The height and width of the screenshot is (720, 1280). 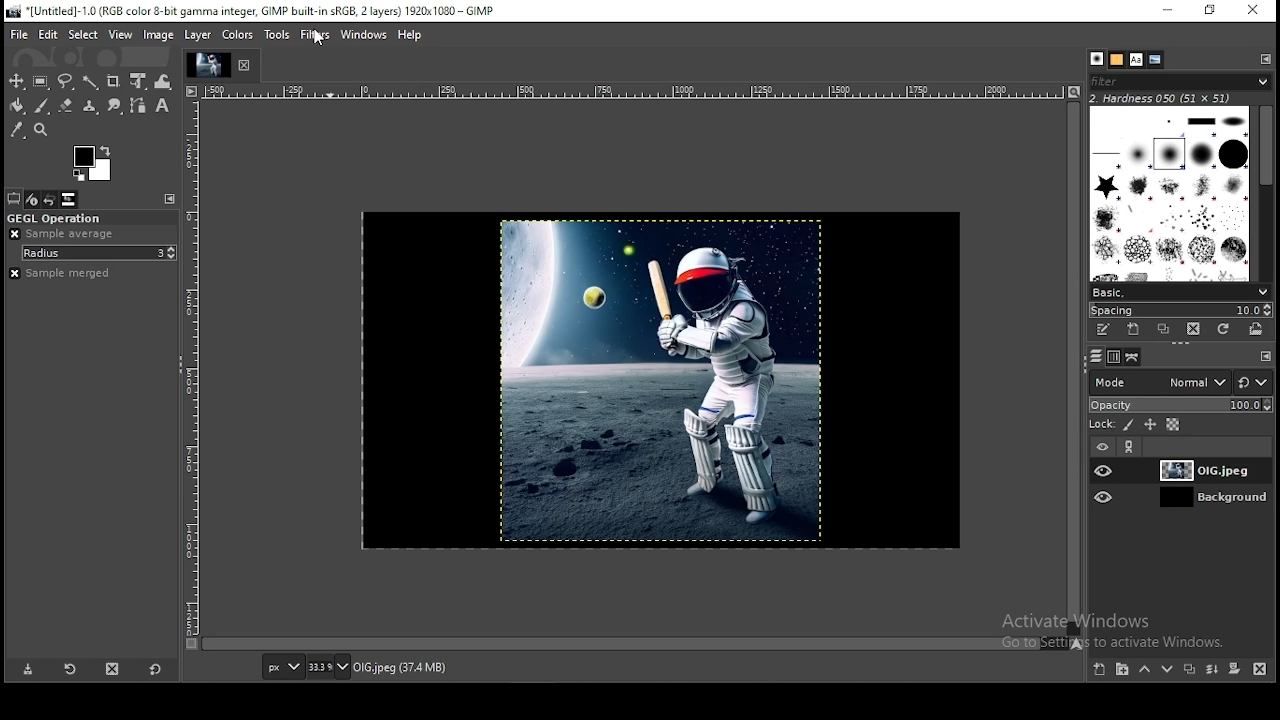 What do you see at coordinates (1160, 382) in the screenshot?
I see `layer mode` at bounding box center [1160, 382].